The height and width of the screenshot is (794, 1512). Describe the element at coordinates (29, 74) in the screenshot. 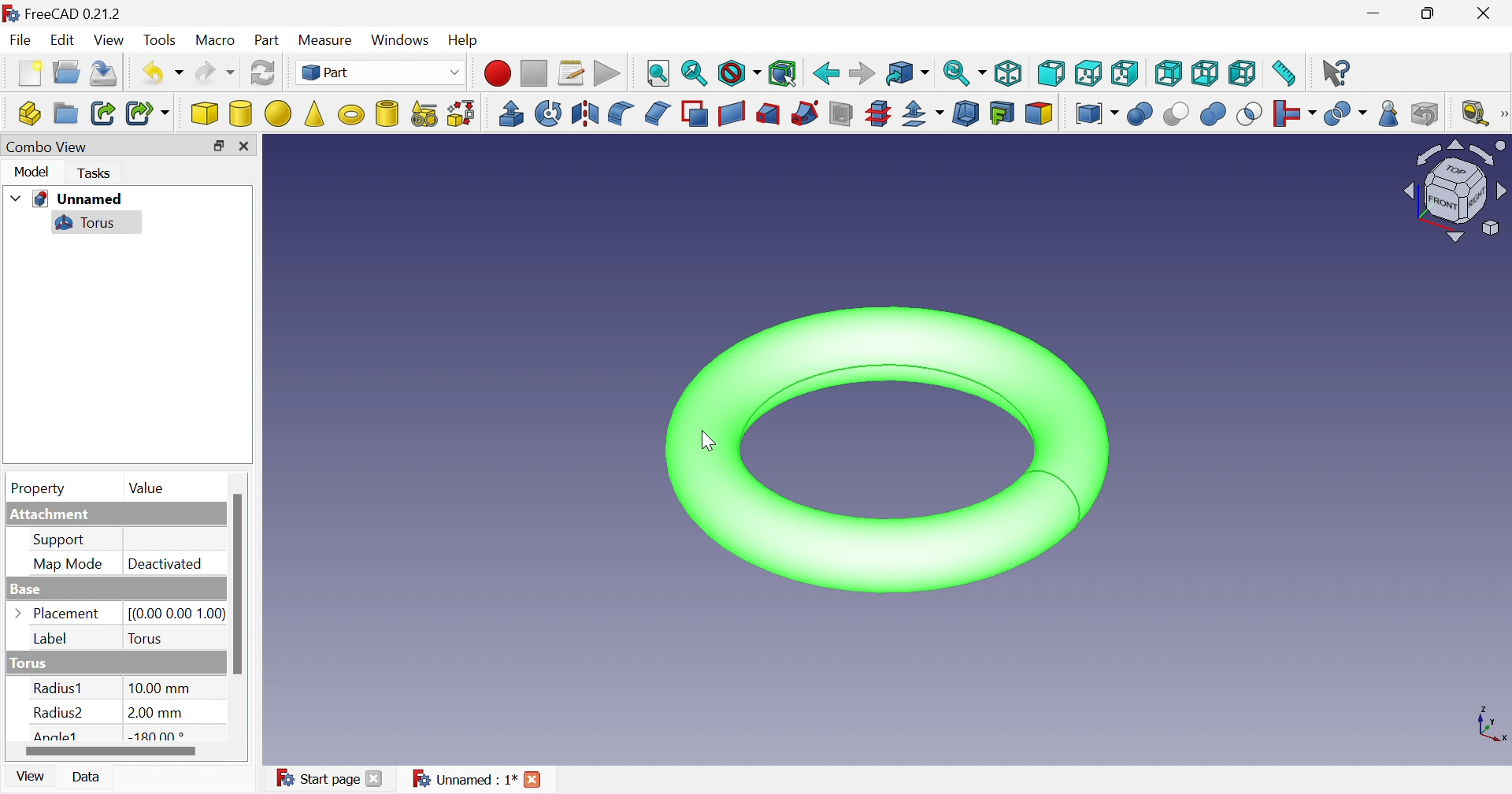

I see `New` at that location.